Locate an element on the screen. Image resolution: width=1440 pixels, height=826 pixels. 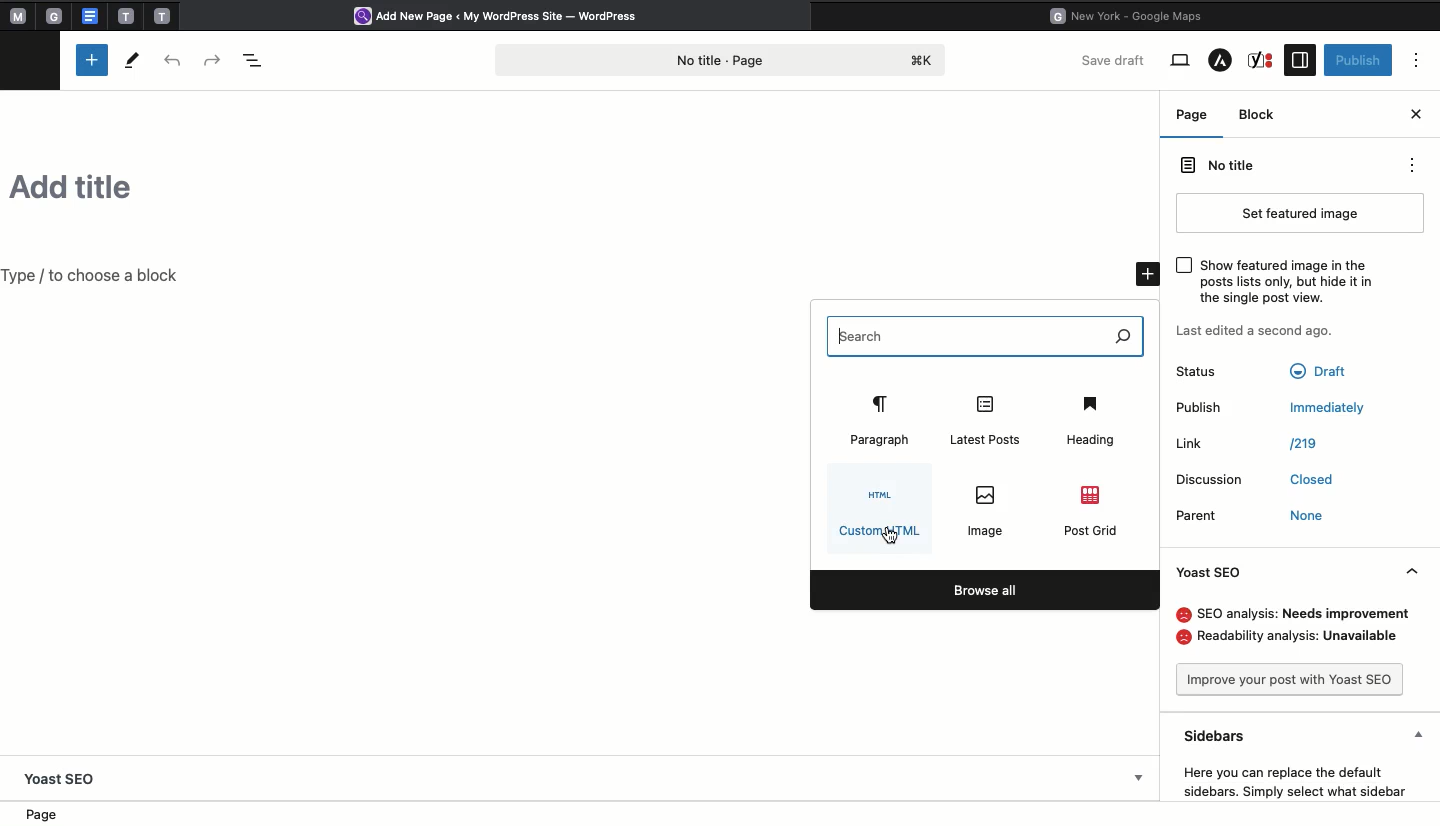
Tools is located at coordinates (131, 60).